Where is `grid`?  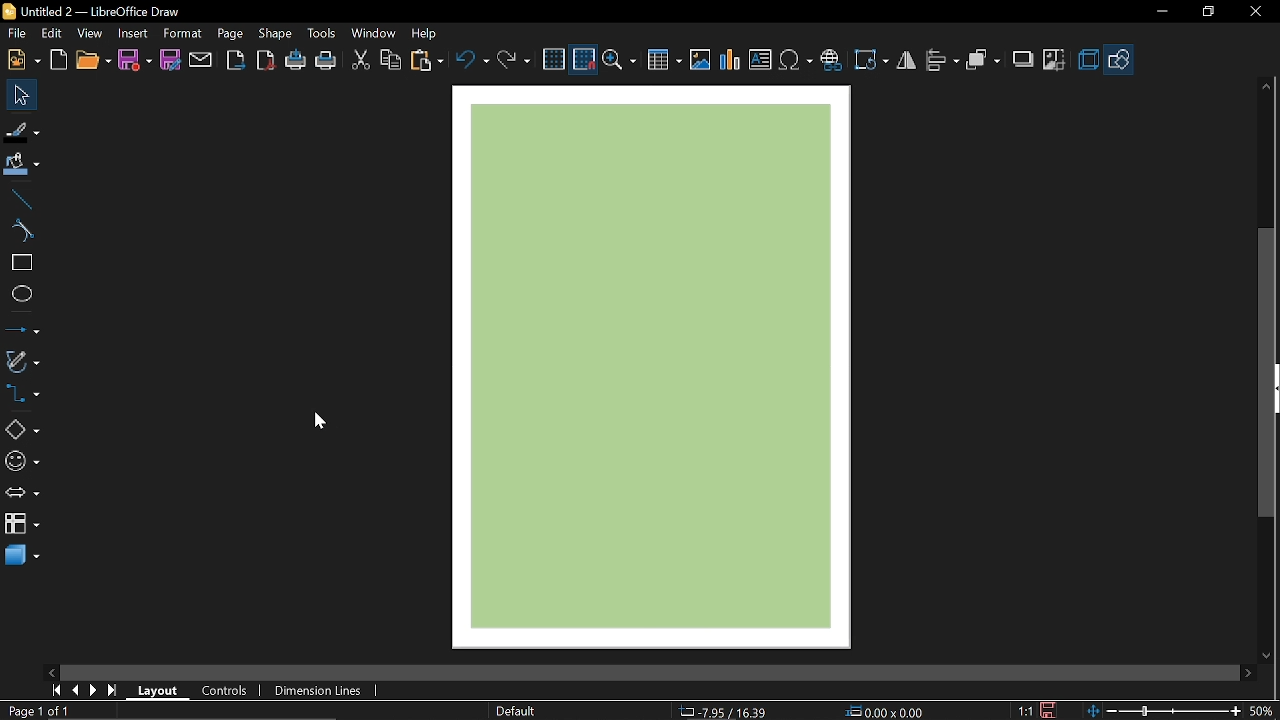 grid is located at coordinates (554, 59).